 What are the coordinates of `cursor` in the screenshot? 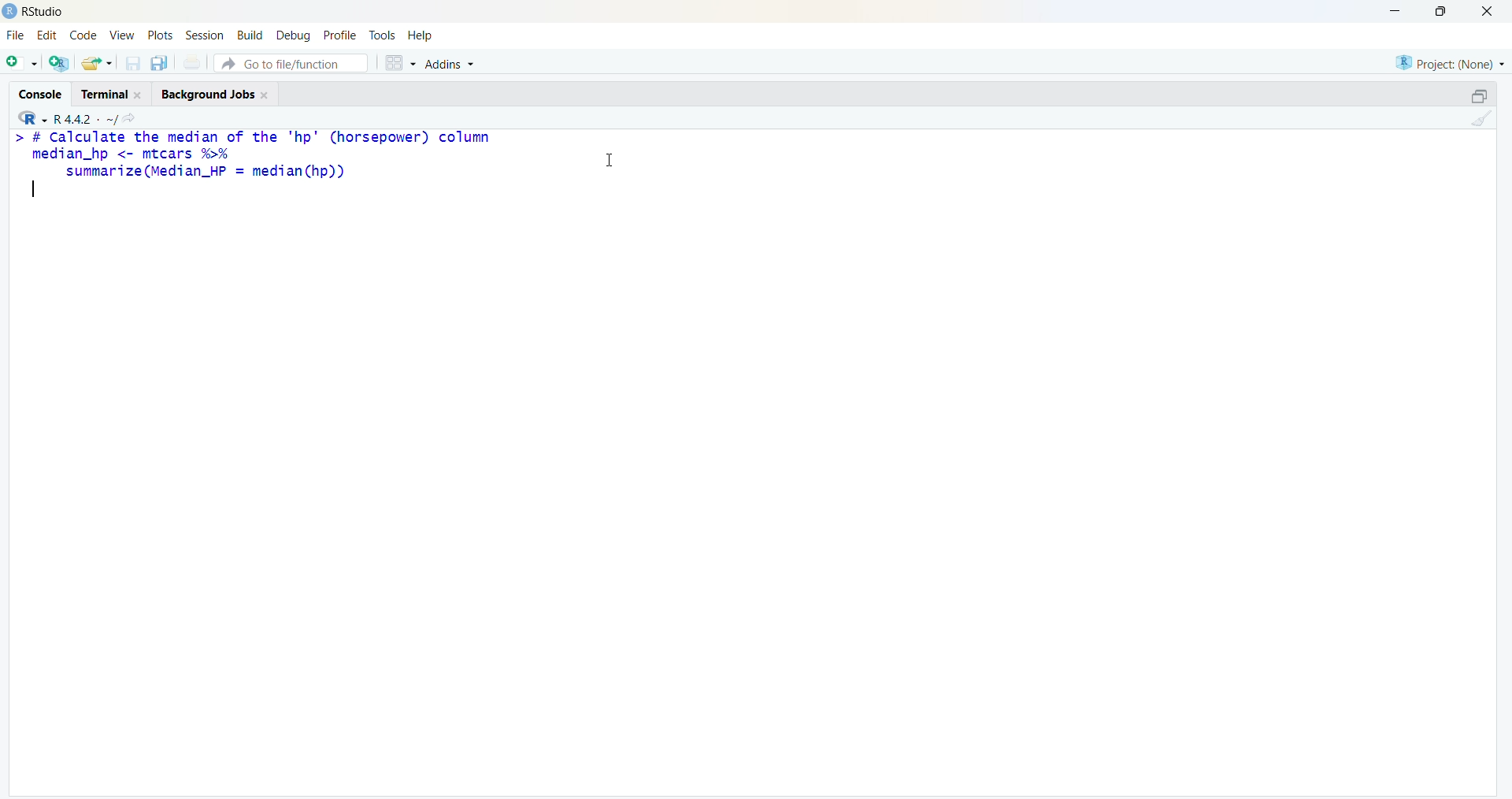 It's located at (610, 162).